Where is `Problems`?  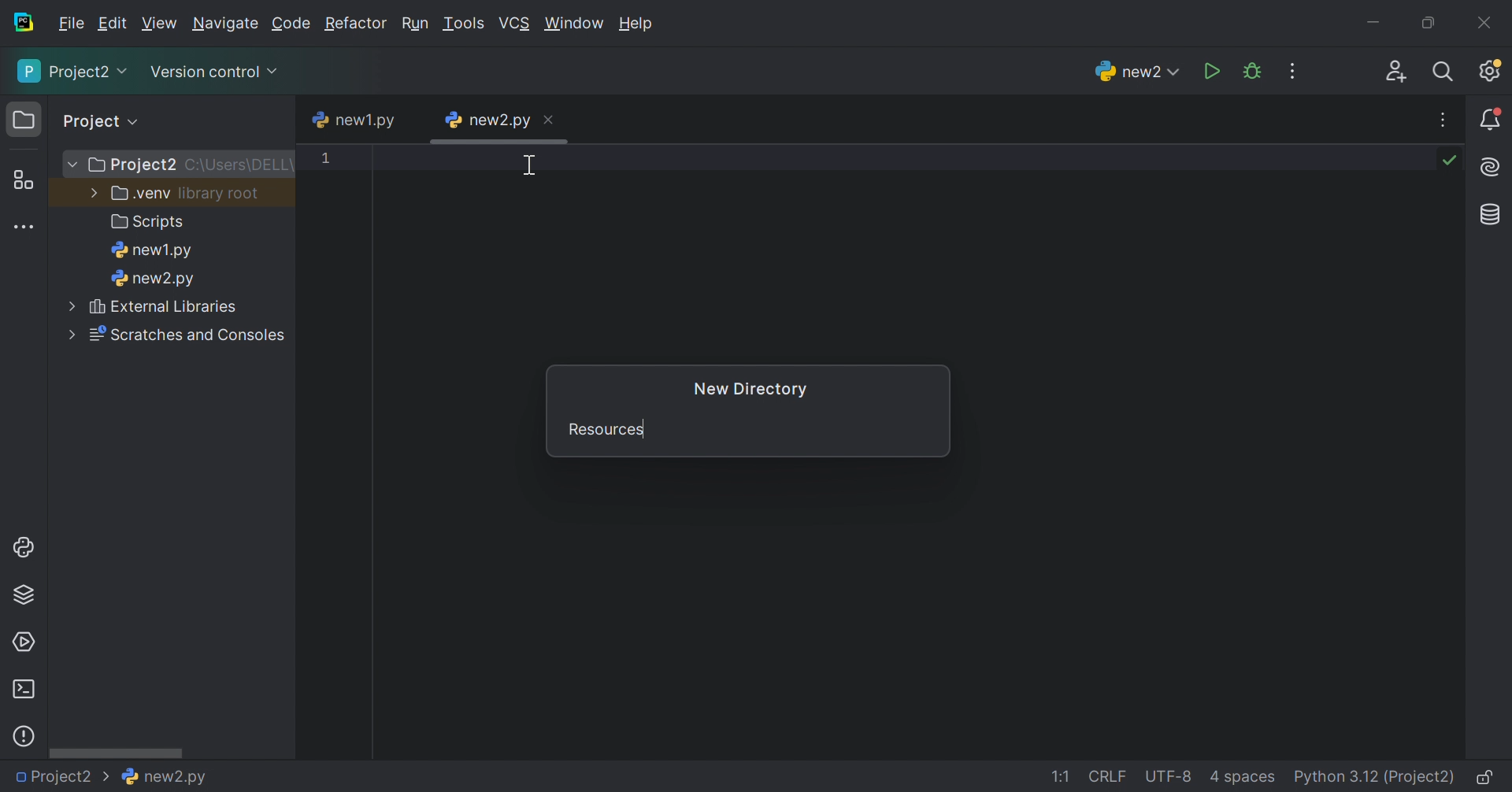
Problems is located at coordinates (26, 737).